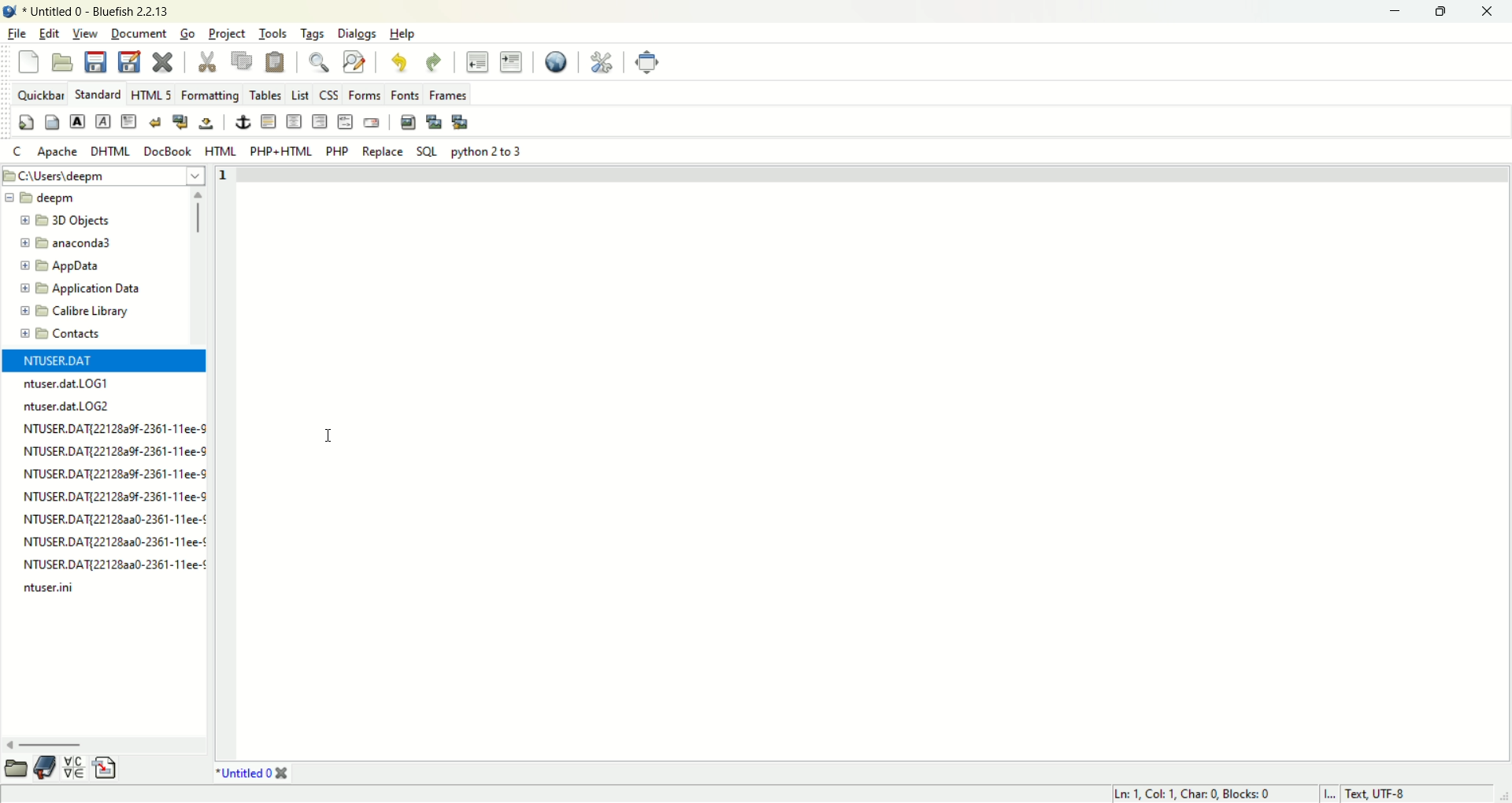 Image resolution: width=1512 pixels, height=803 pixels. I want to click on edit, so click(47, 33).